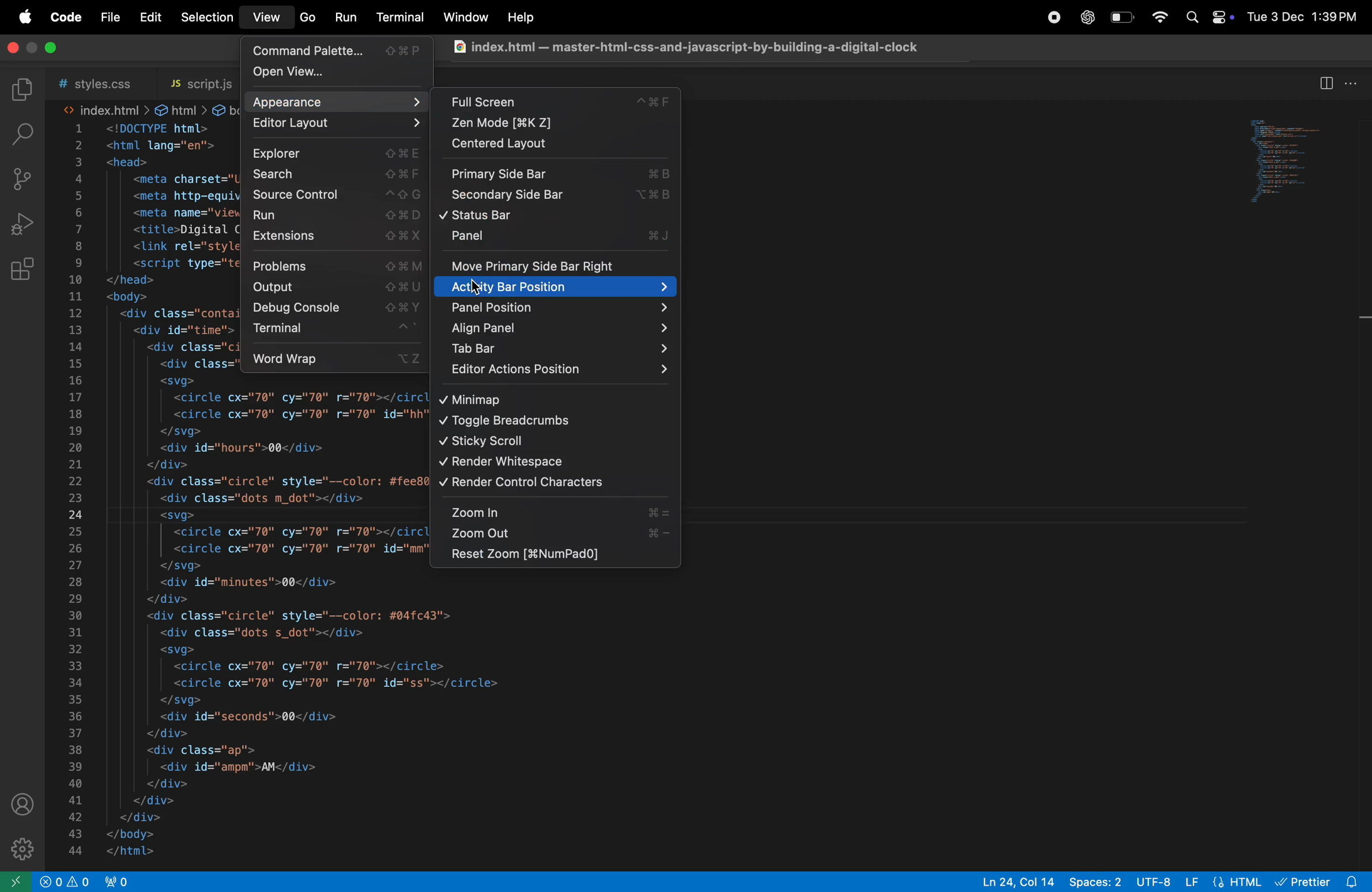 The height and width of the screenshot is (892, 1372). What do you see at coordinates (148, 18) in the screenshot?
I see `edit` at bounding box center [148, 18].